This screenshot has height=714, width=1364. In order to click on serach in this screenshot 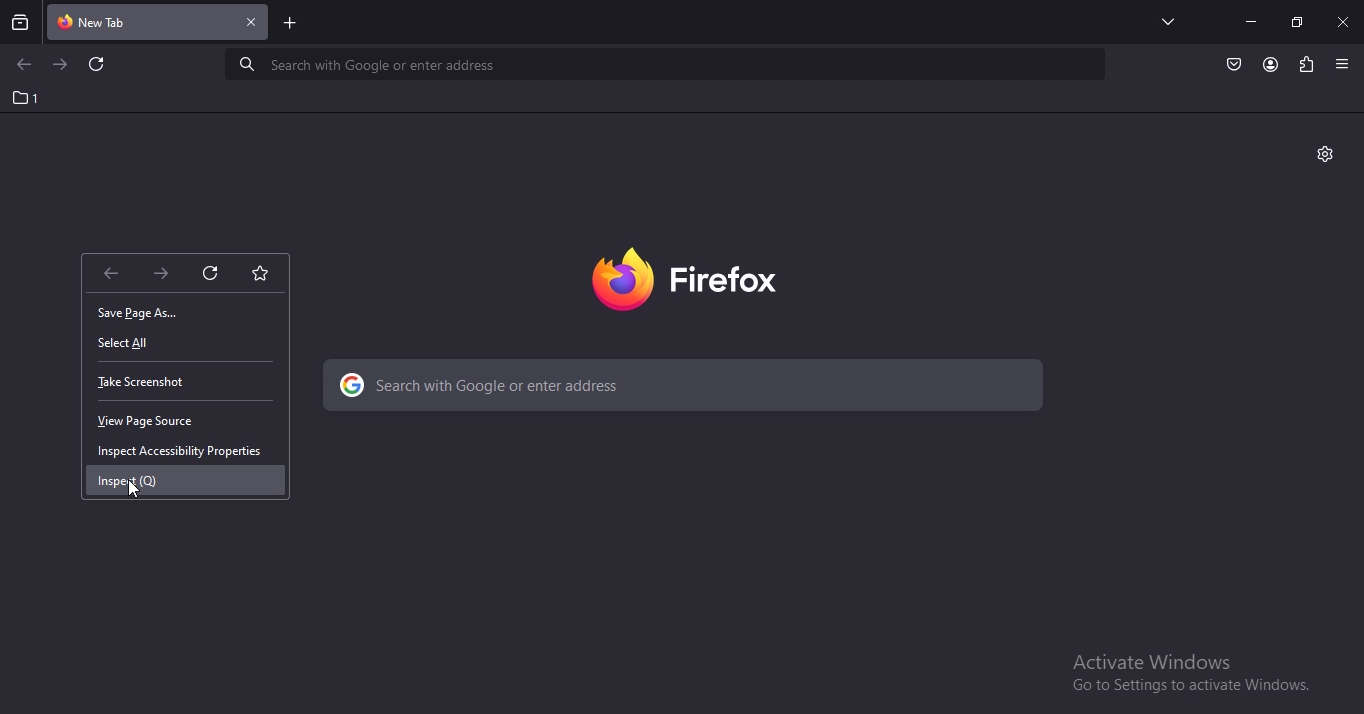, I will do `click(657, 64)`.